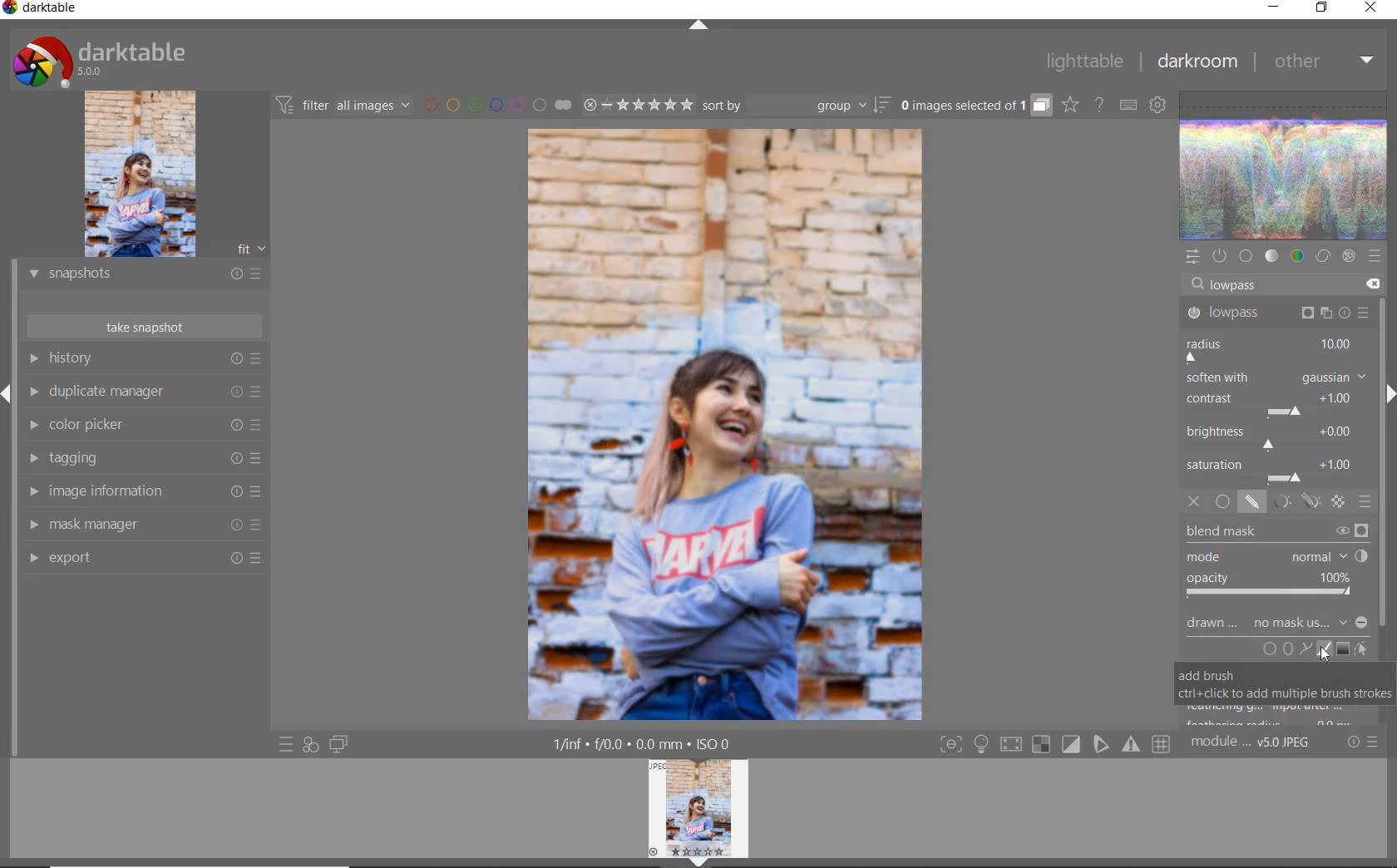  Describe the element at coordinates (1285, 164) in the screenshot. I see `waveform` at that location.